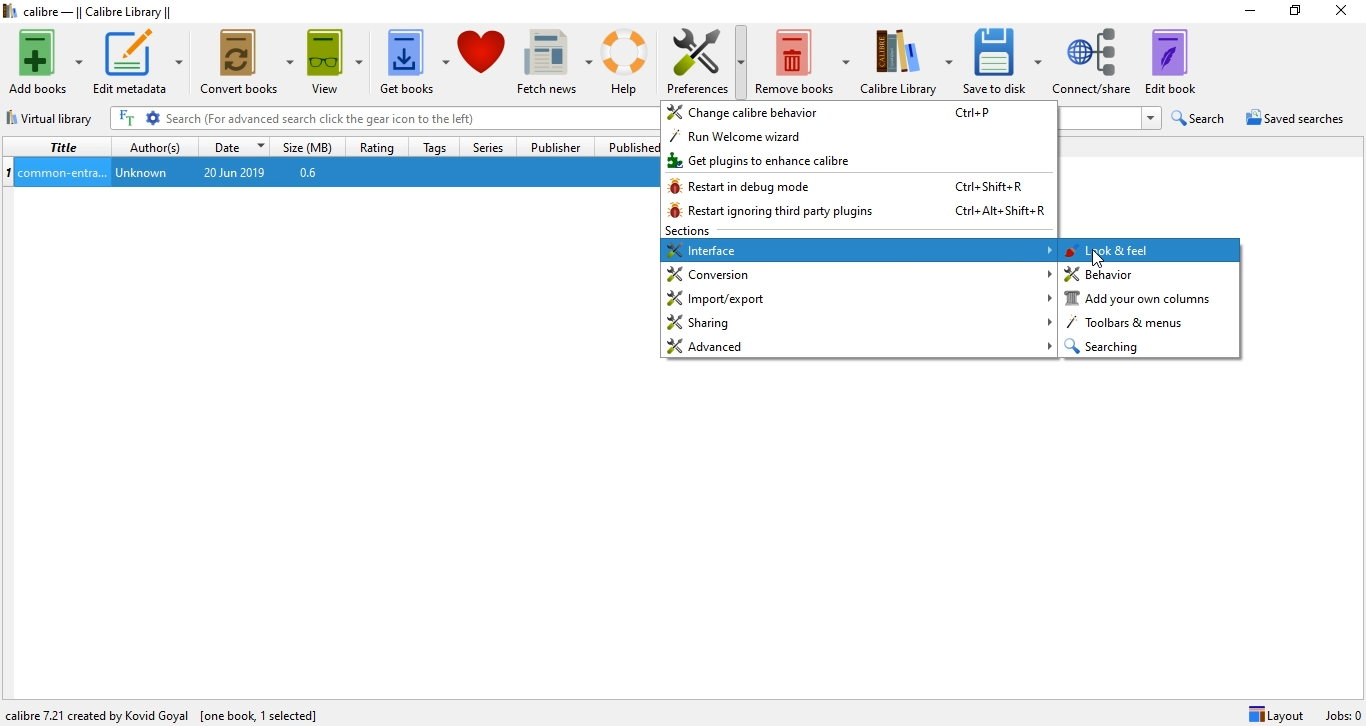  Describe the element at coordinates (92, 12) in the screenshot. I see `calibre - || Calibre Library ||` at that location.